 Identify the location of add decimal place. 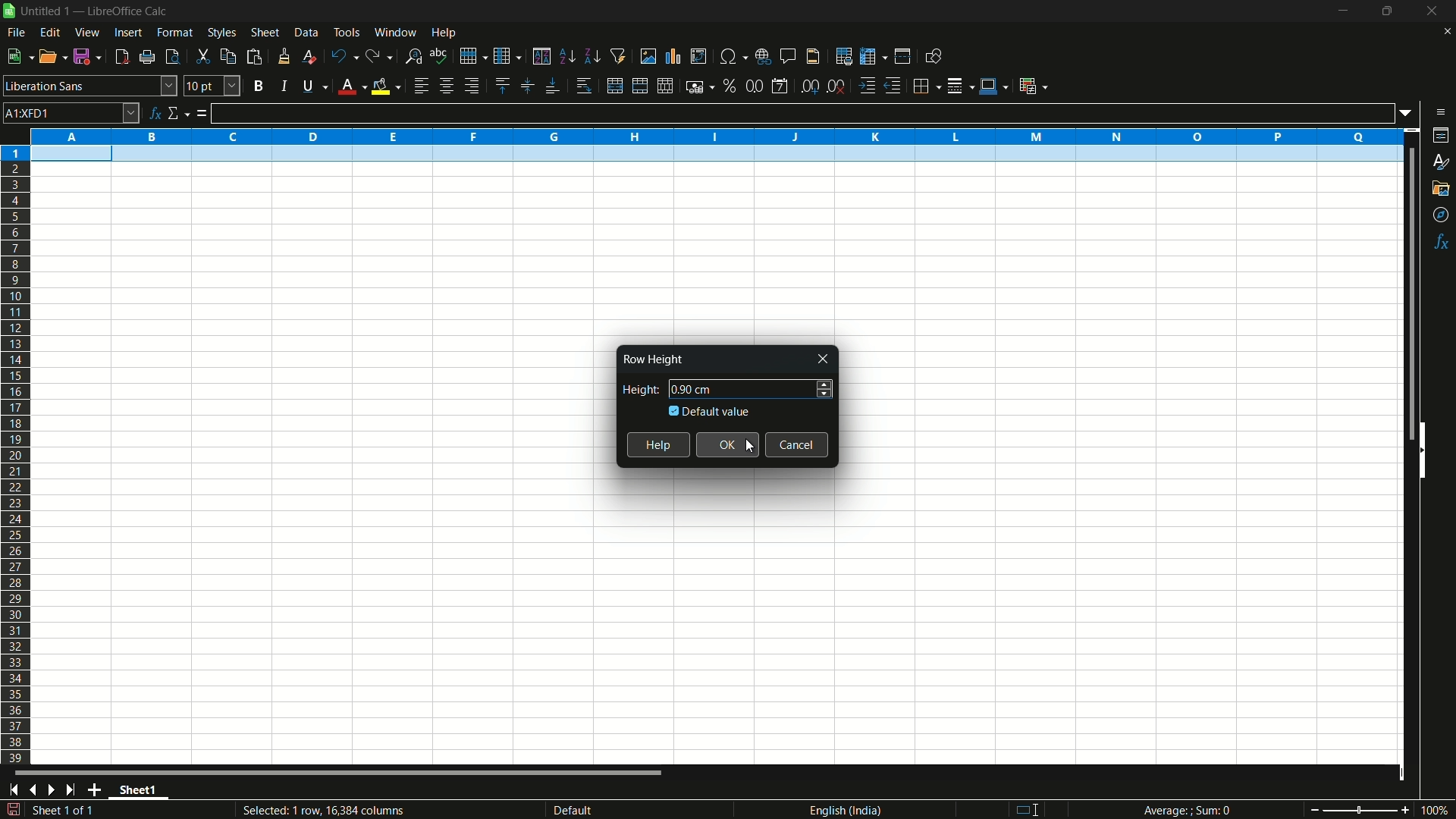
(812, 87).